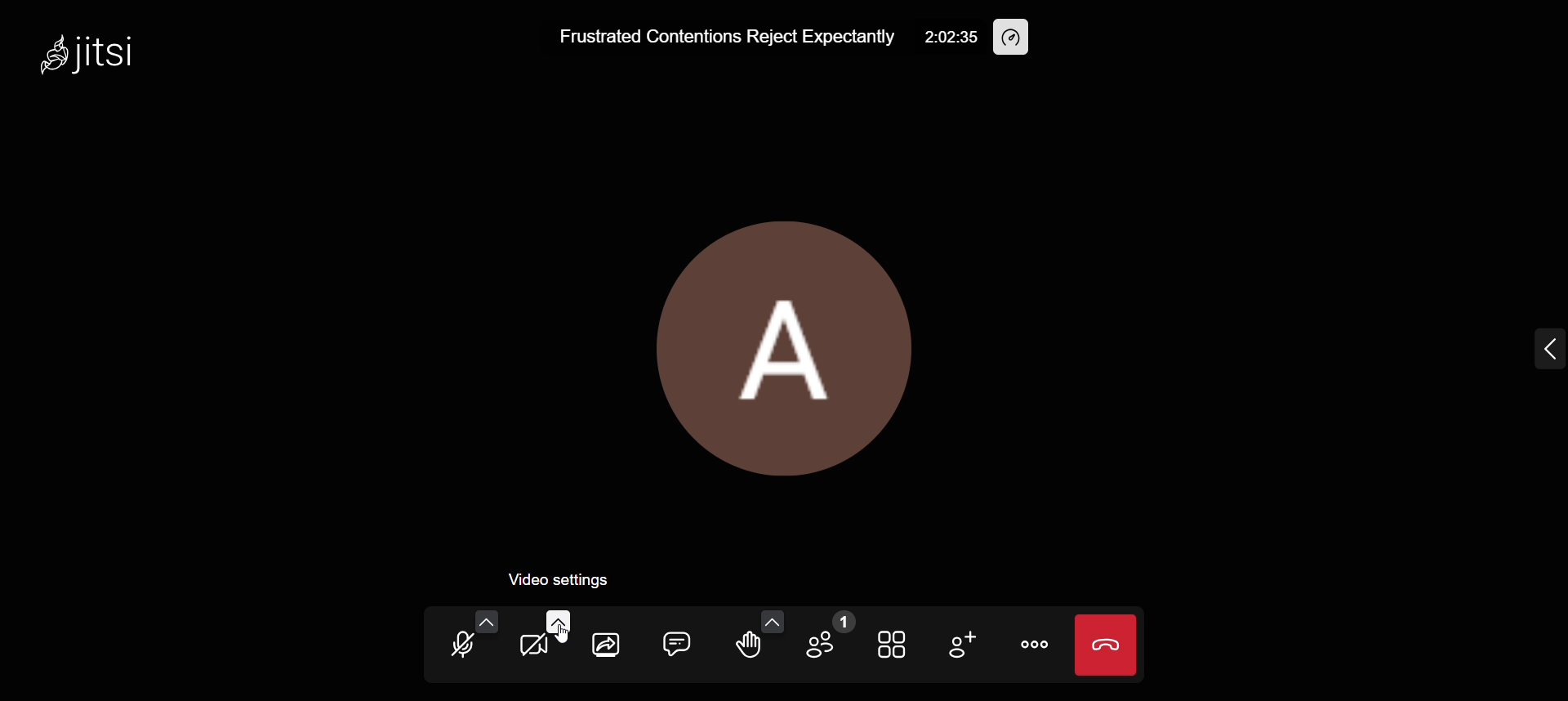  Describe the element at coordinates (529, 649) in the screenshot. I see `start camera` at that location.